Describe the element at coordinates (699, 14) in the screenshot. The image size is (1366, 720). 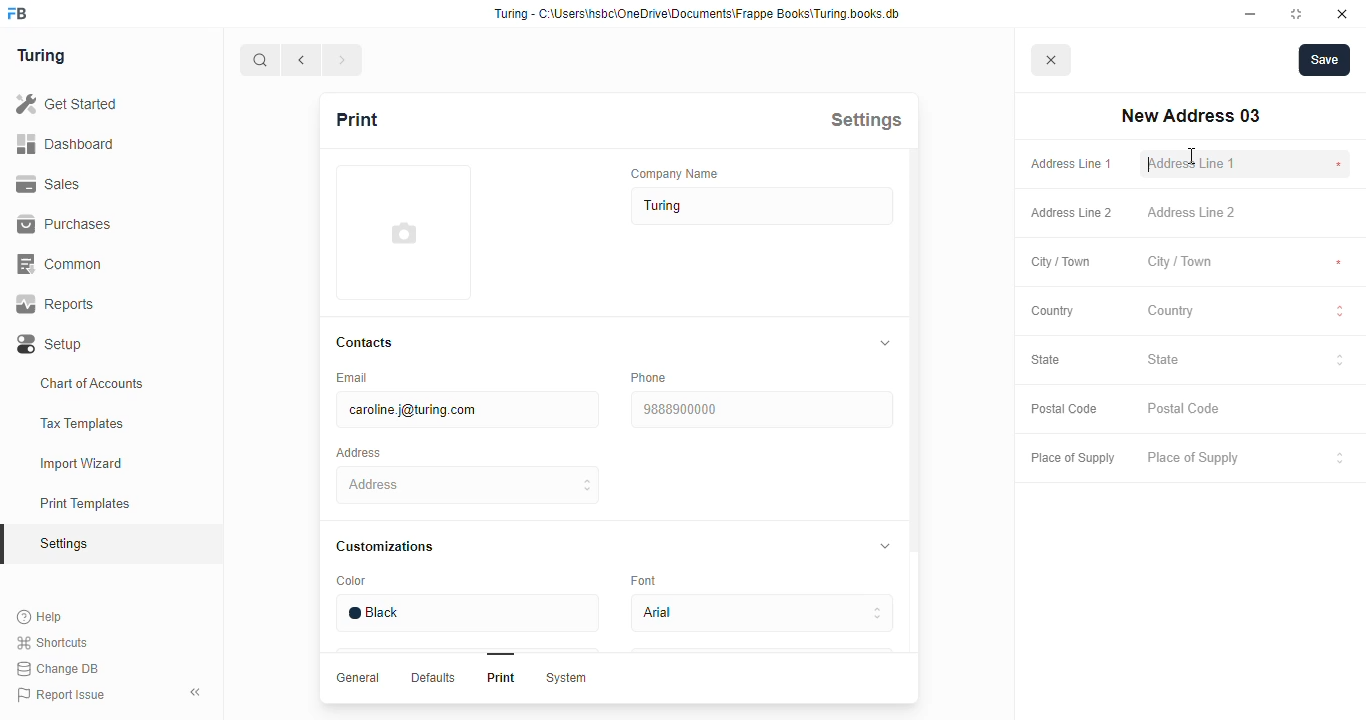
I see `Turing - C:\Users\hshc\OneDrive\Documents\Frappe Books\Turing.books.db` at that location.